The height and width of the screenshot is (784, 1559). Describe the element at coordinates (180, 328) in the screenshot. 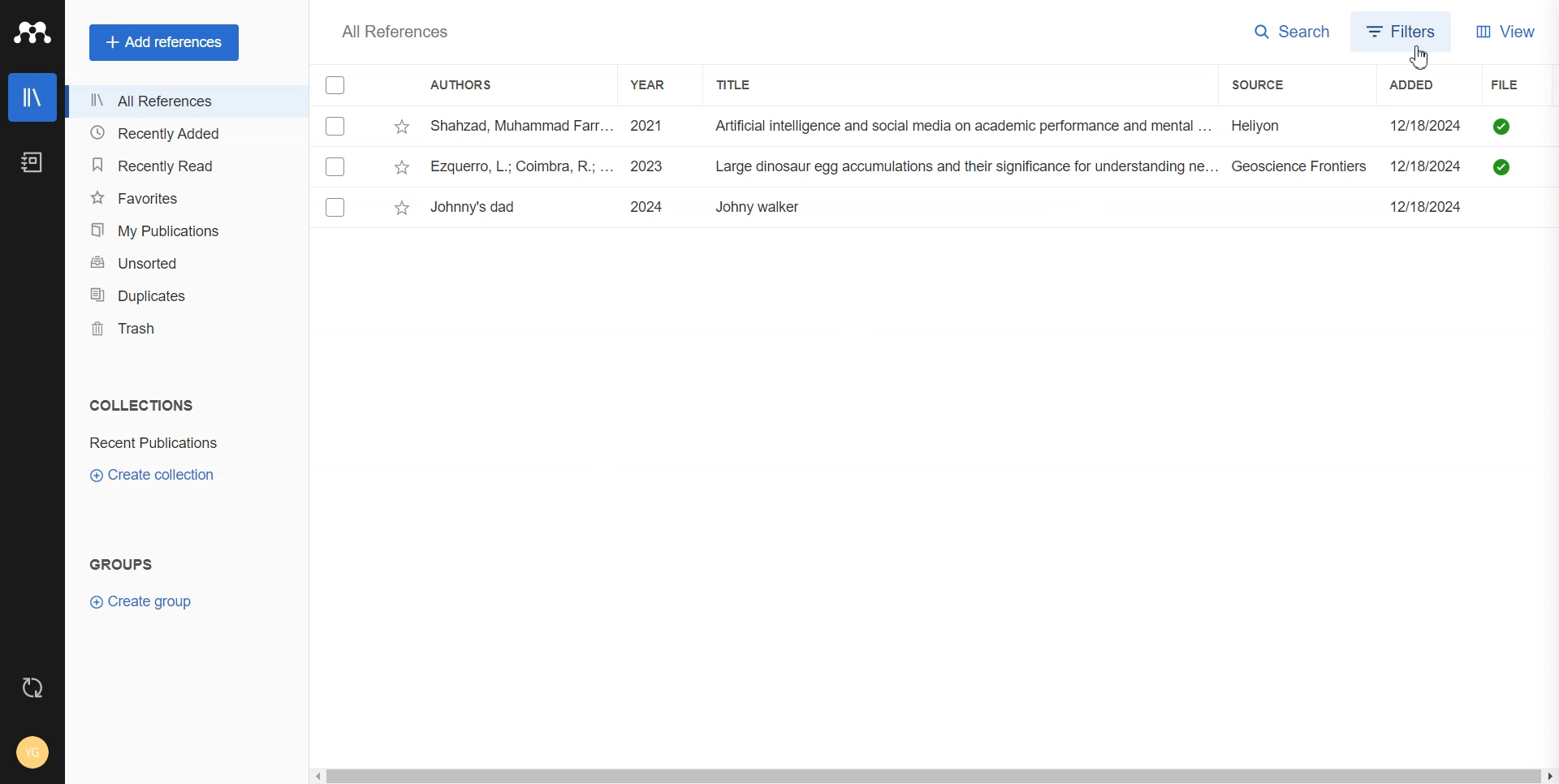

I see `Trash` at that location.